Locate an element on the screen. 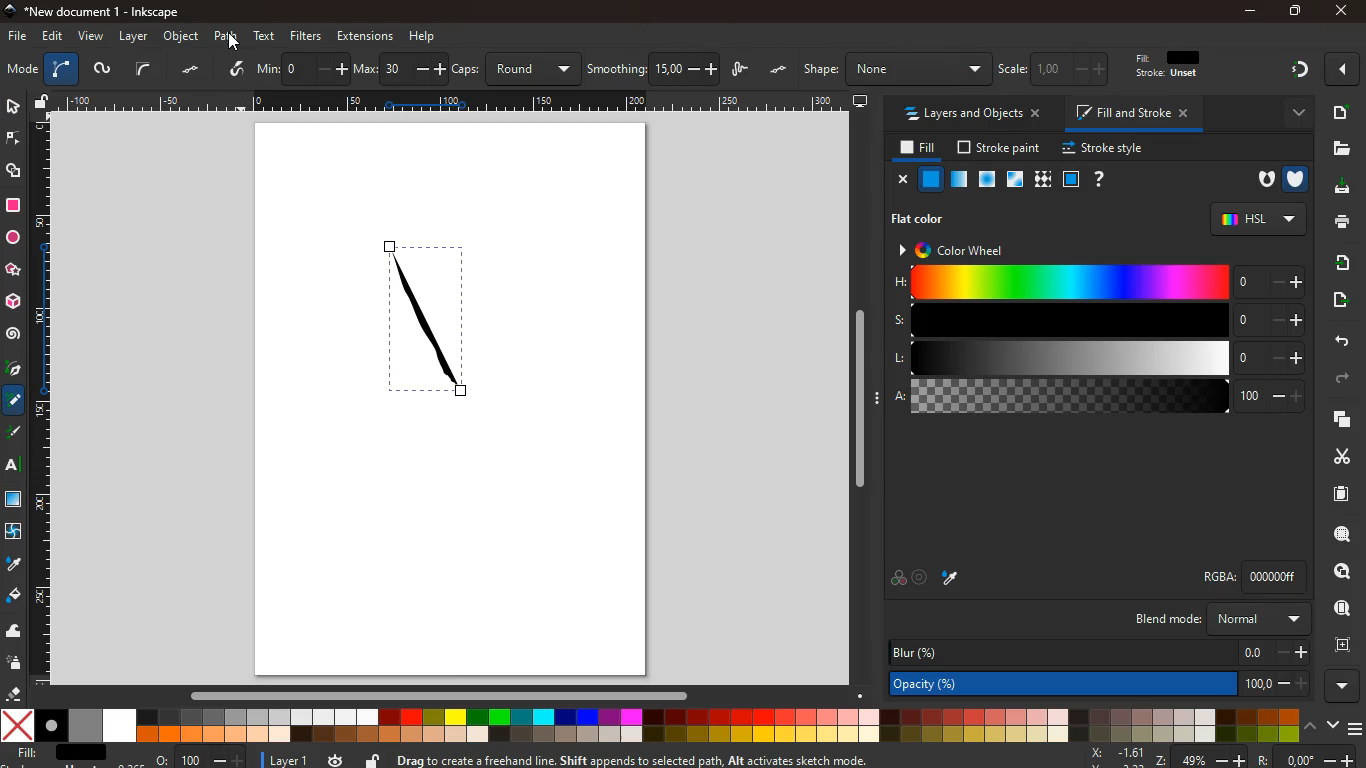 This screenshot has height=768, width=1366. aim is located at coordinates (921, 579).